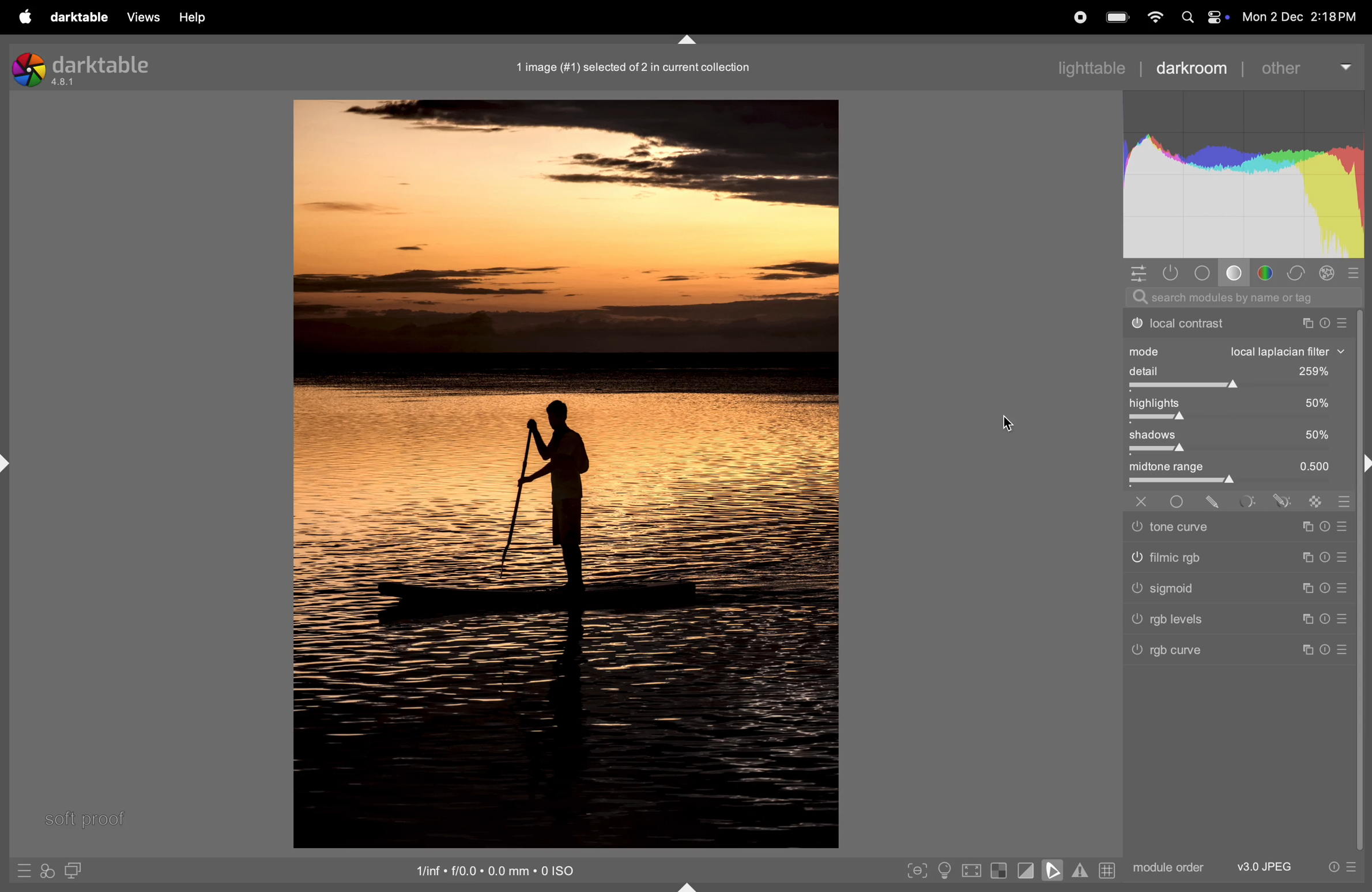  I want to click on base, so click(1203, 272).